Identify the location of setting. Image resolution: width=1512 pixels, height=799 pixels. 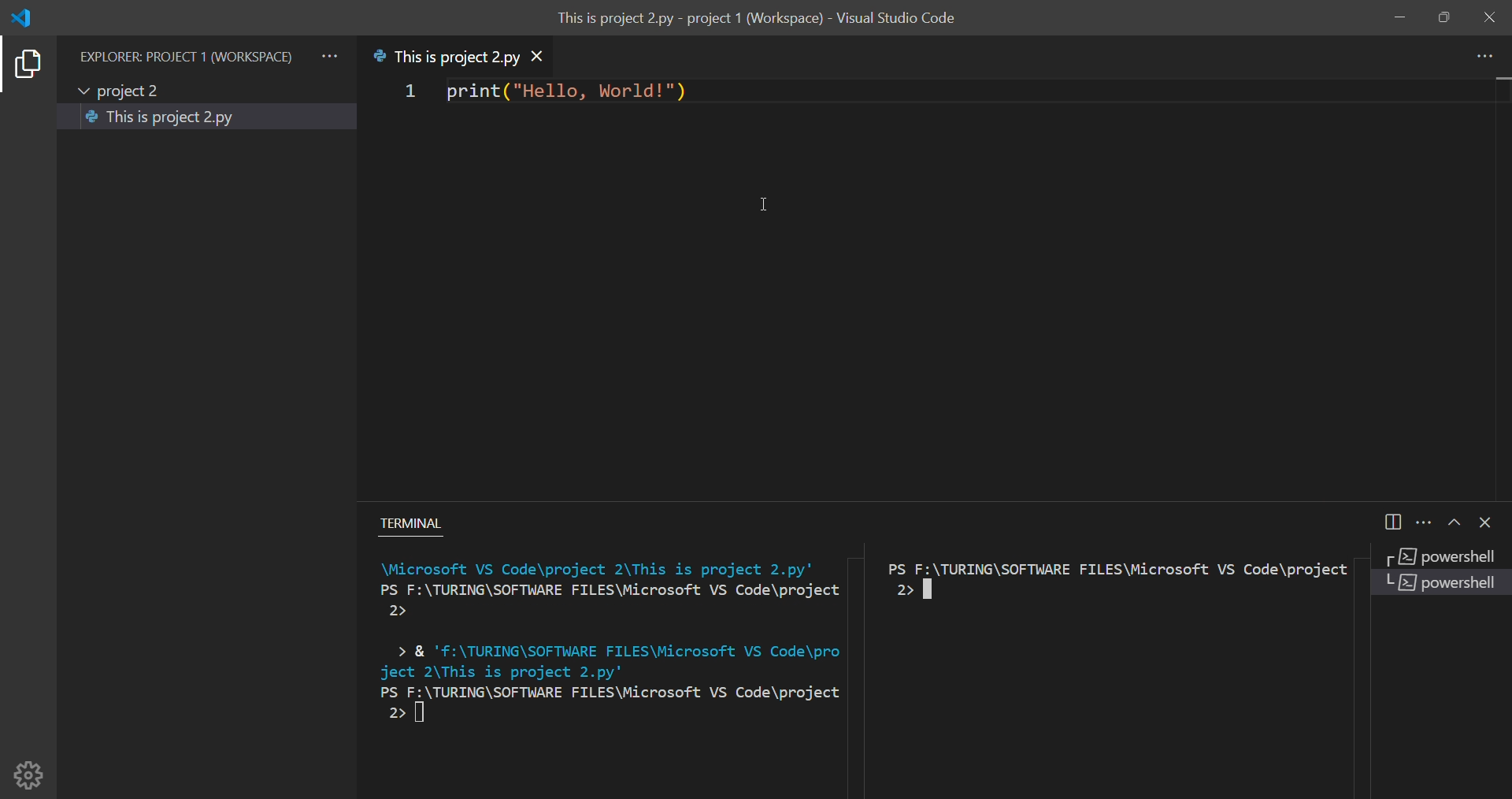
(31, 769).